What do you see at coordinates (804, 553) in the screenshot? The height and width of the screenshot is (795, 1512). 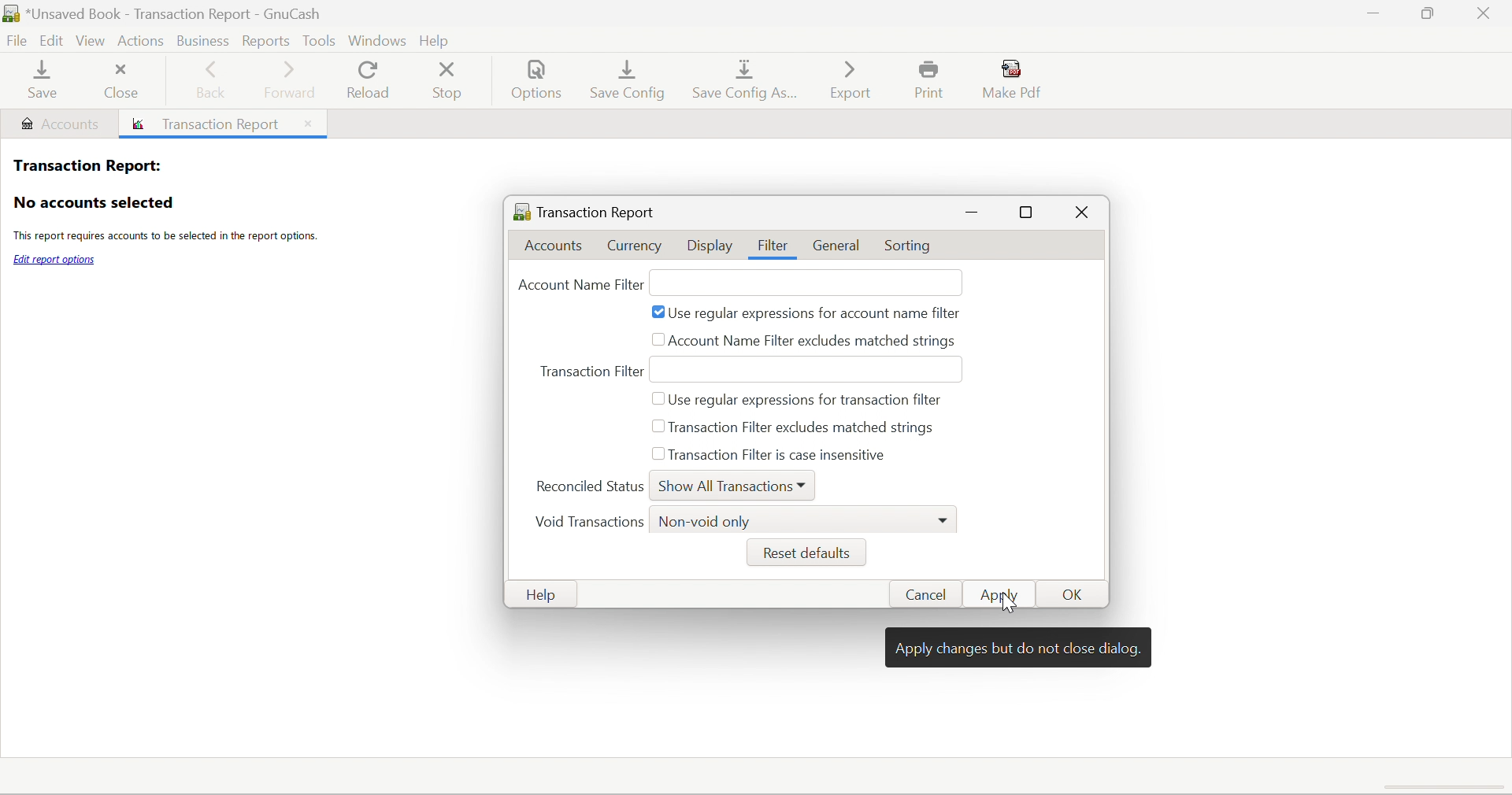 I see `Reset defaults` at bounding box center [804, 553].